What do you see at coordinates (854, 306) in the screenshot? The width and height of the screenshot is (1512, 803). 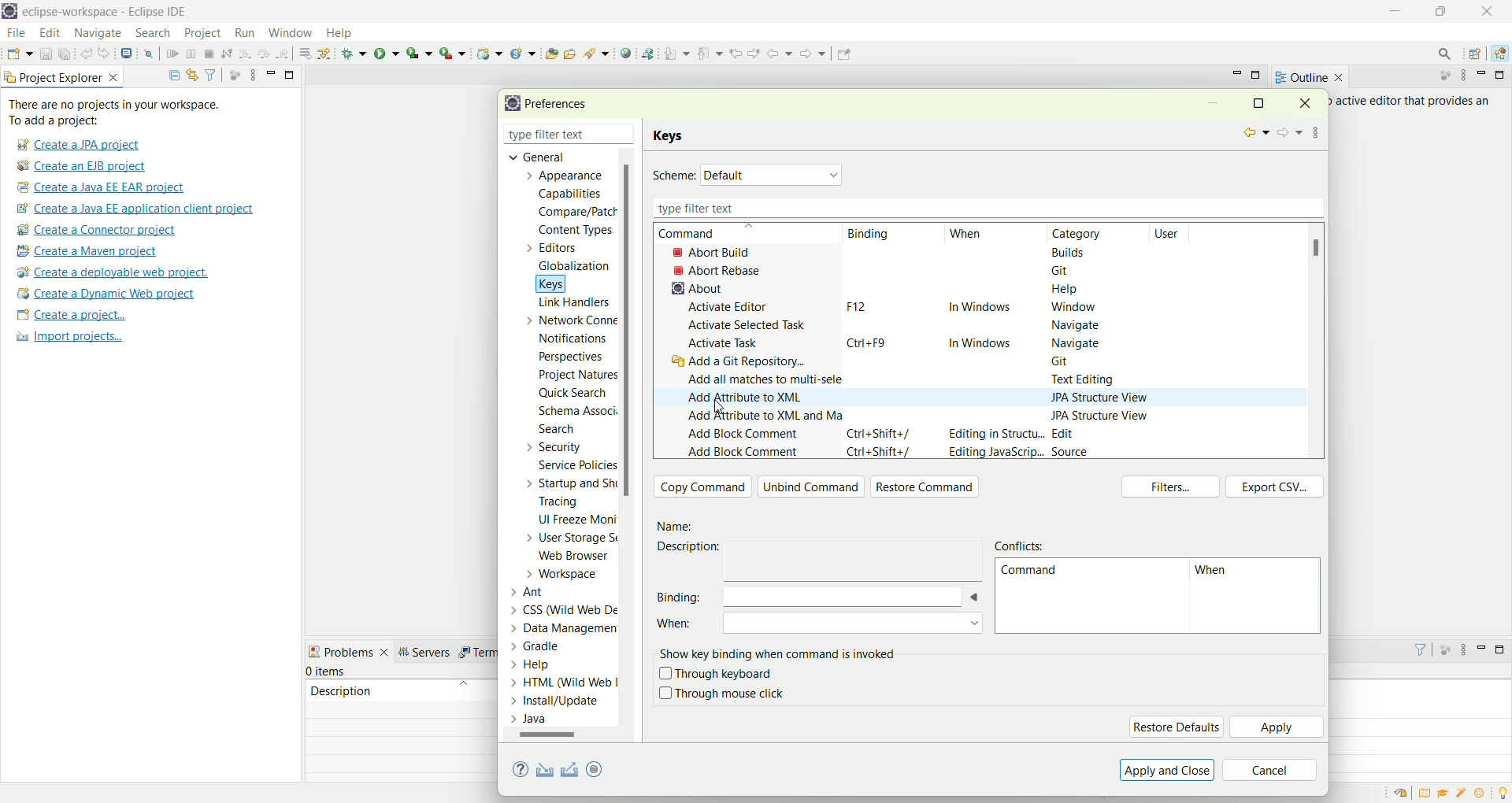 I see `F12` at bounding box center [854, 306].